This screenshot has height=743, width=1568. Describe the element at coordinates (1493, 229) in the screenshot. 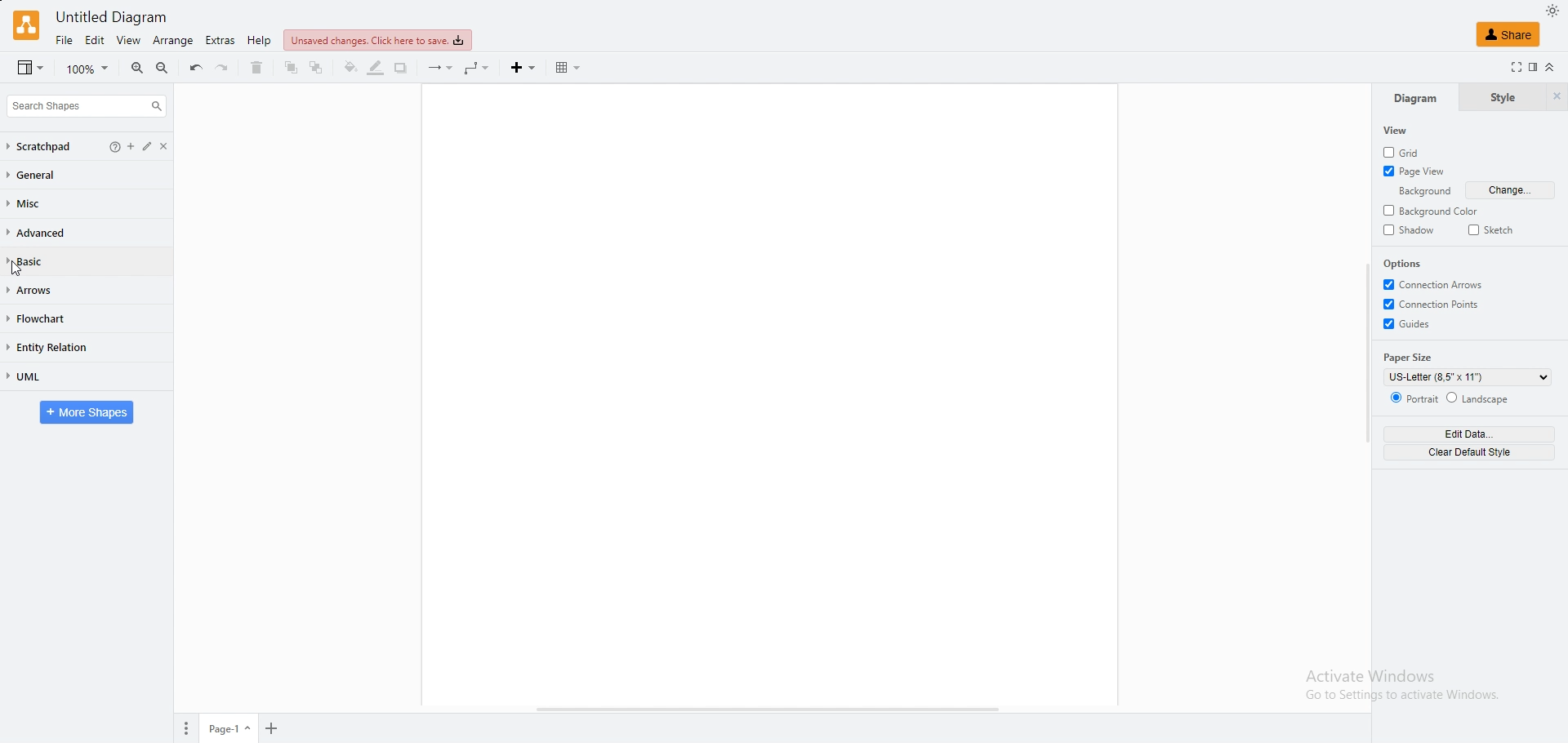

I see `sketch` at that location.